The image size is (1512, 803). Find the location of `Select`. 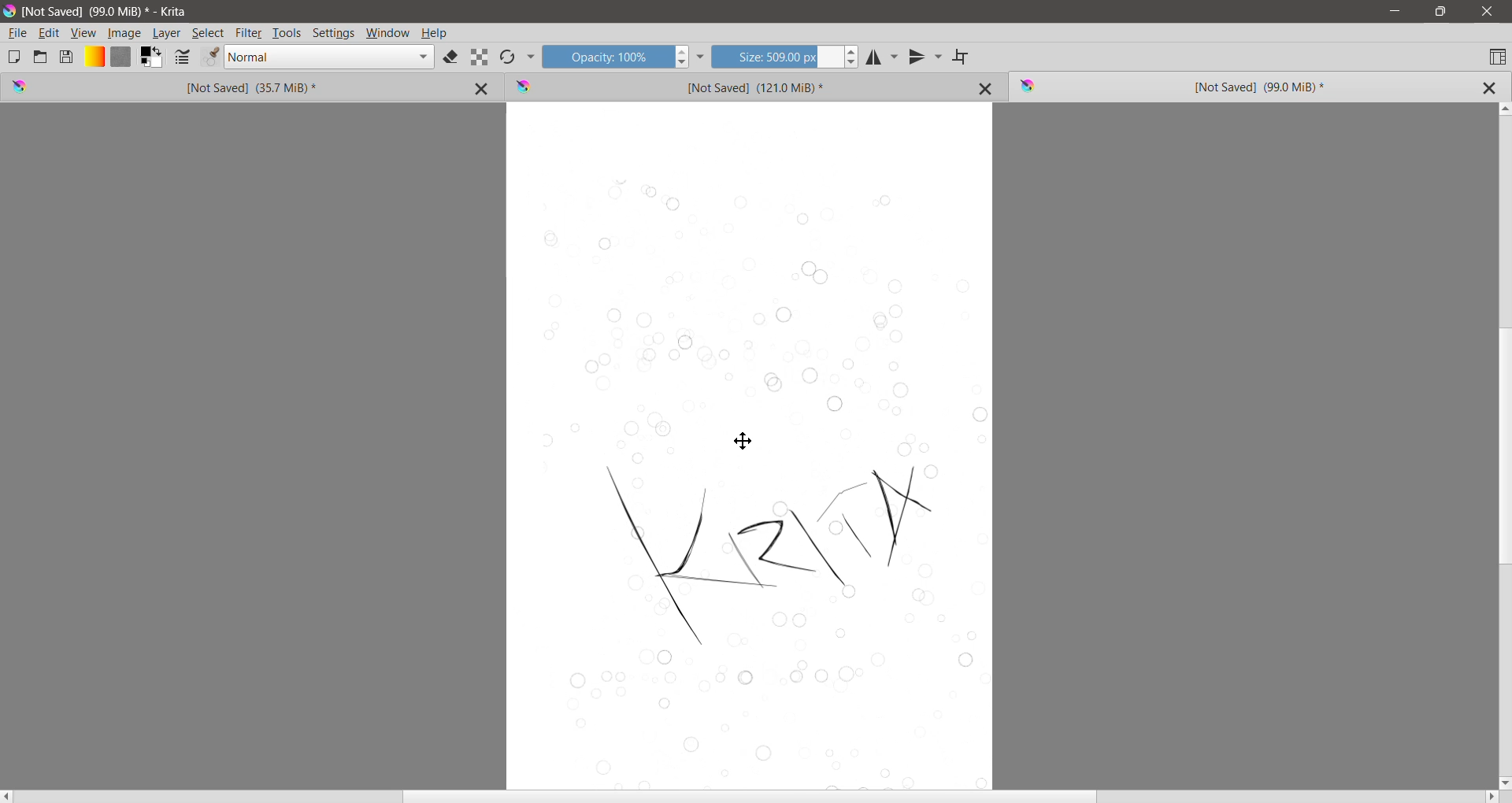

Select is located at coordinates (209, 33).